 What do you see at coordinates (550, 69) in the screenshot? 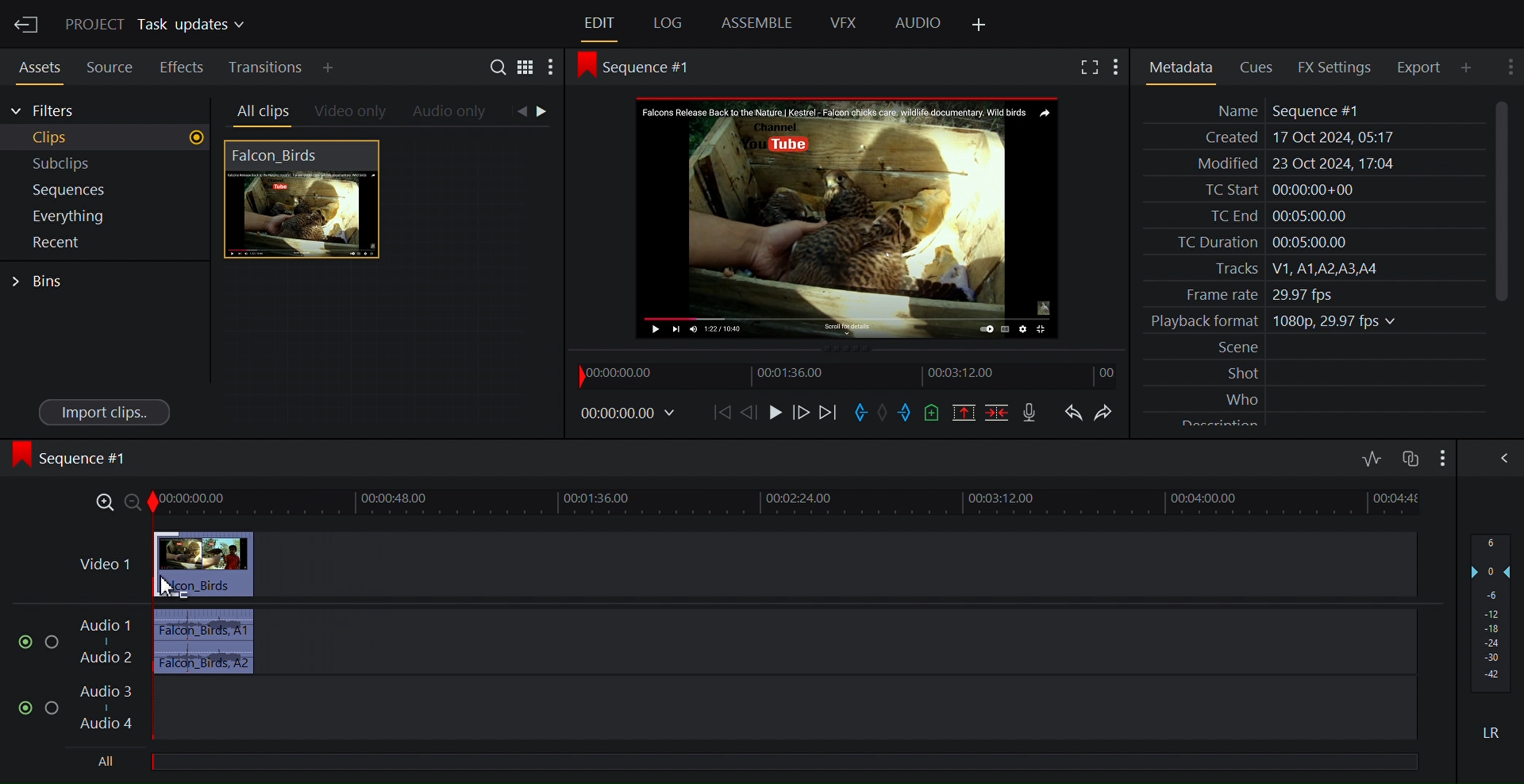
I see `Show settings menu` at bounding box center [550, 69].